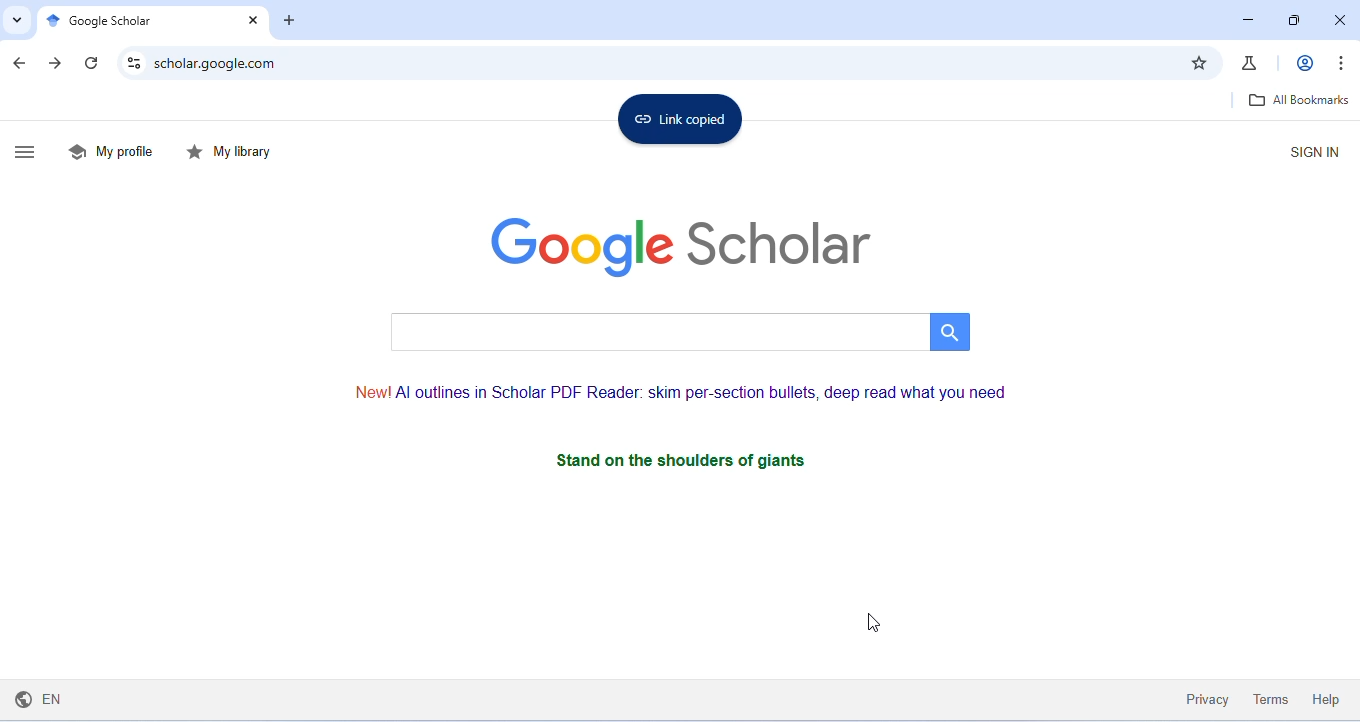 This screenshot has height=722, width=1360. Describe the element at coordinates (687, 460) in the screenshot. I see `stand on the shoulders of giants` at that location.